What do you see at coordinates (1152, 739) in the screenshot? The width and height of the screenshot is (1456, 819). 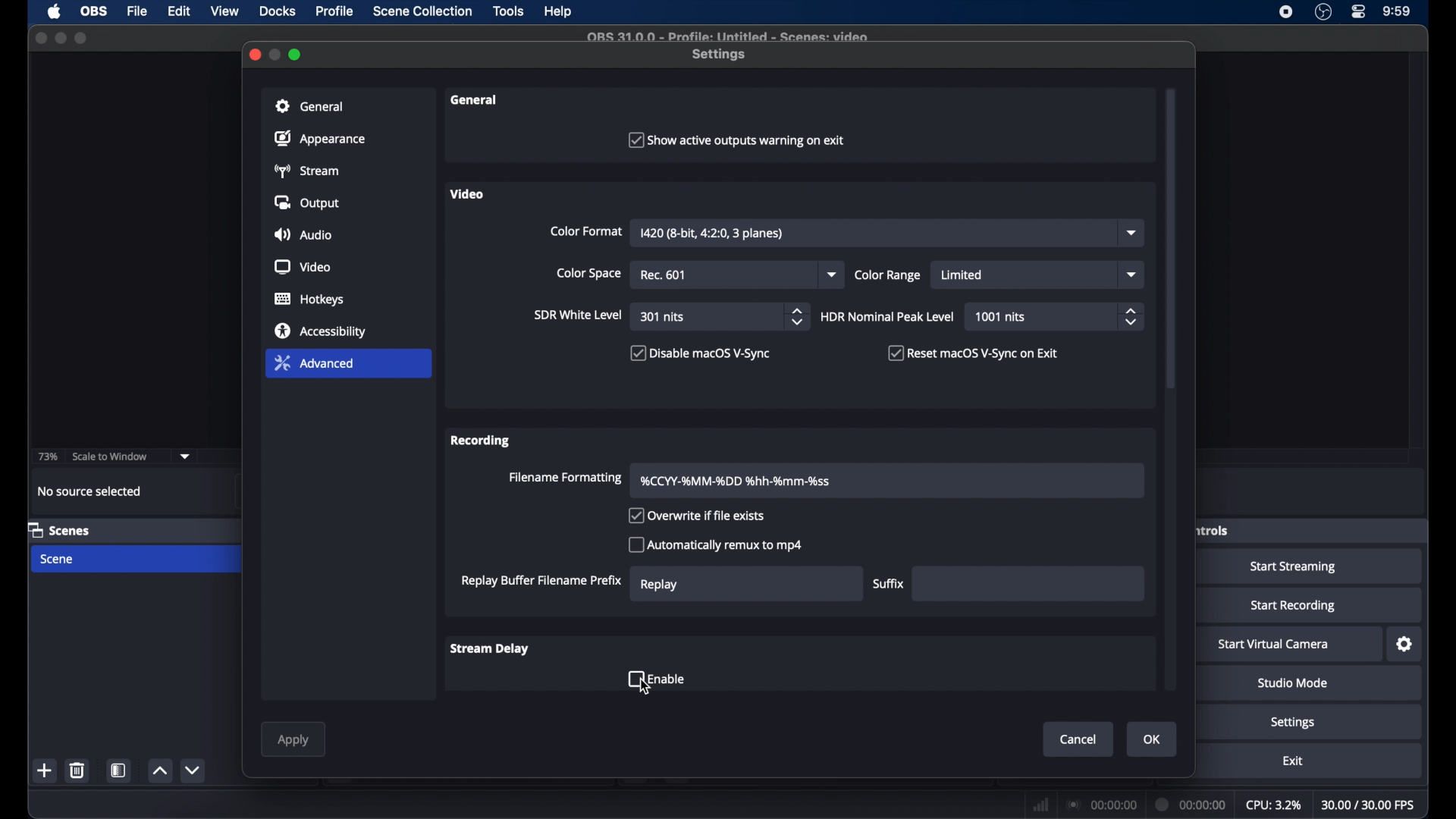 I see `ok` at bounding box center [1152, 739].